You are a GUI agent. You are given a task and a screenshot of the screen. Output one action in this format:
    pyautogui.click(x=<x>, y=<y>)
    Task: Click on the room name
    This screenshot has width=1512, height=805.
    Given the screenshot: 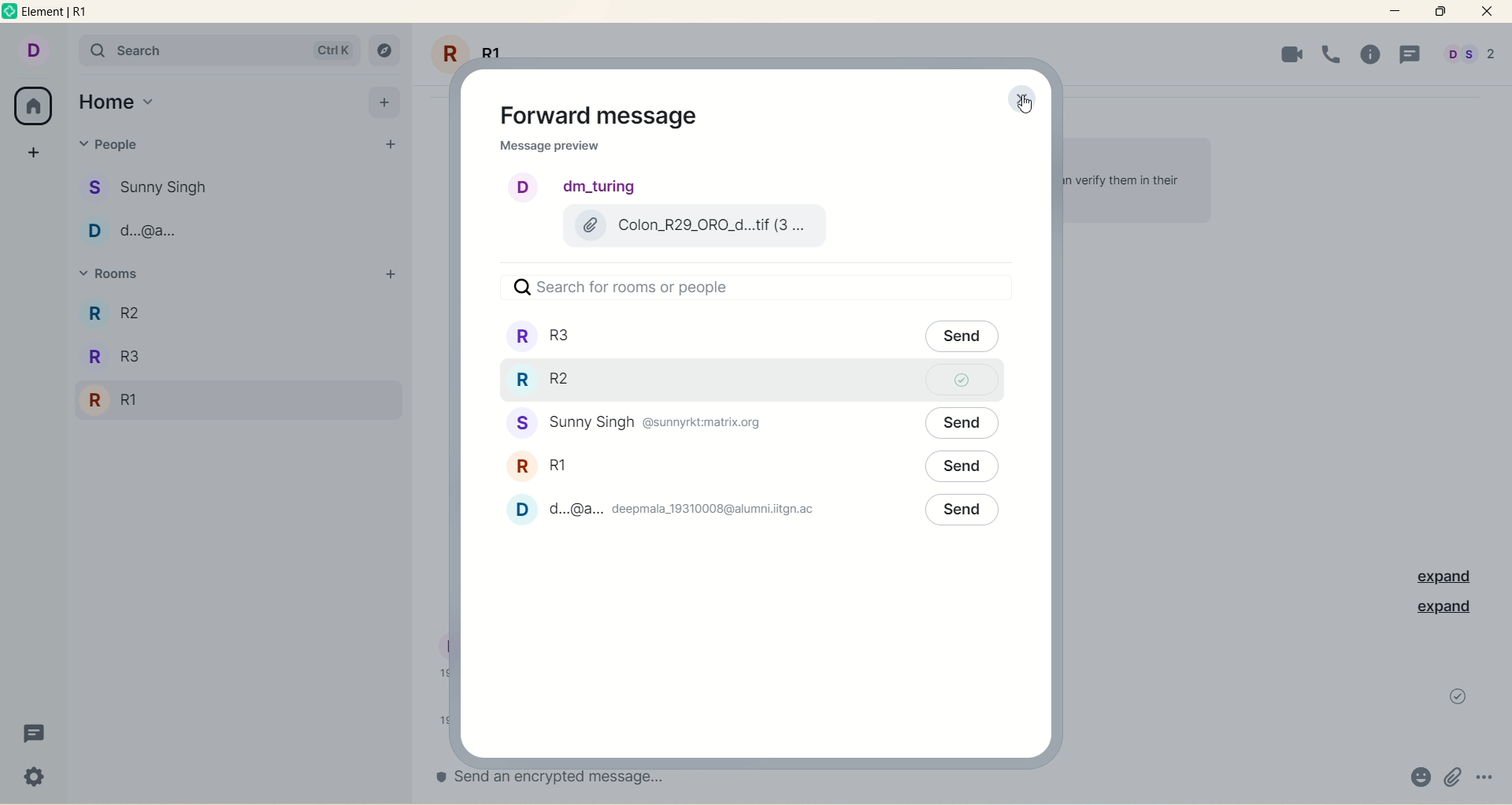 What is the action you would take?
    pyautogui.click(x=484, y=46)
    